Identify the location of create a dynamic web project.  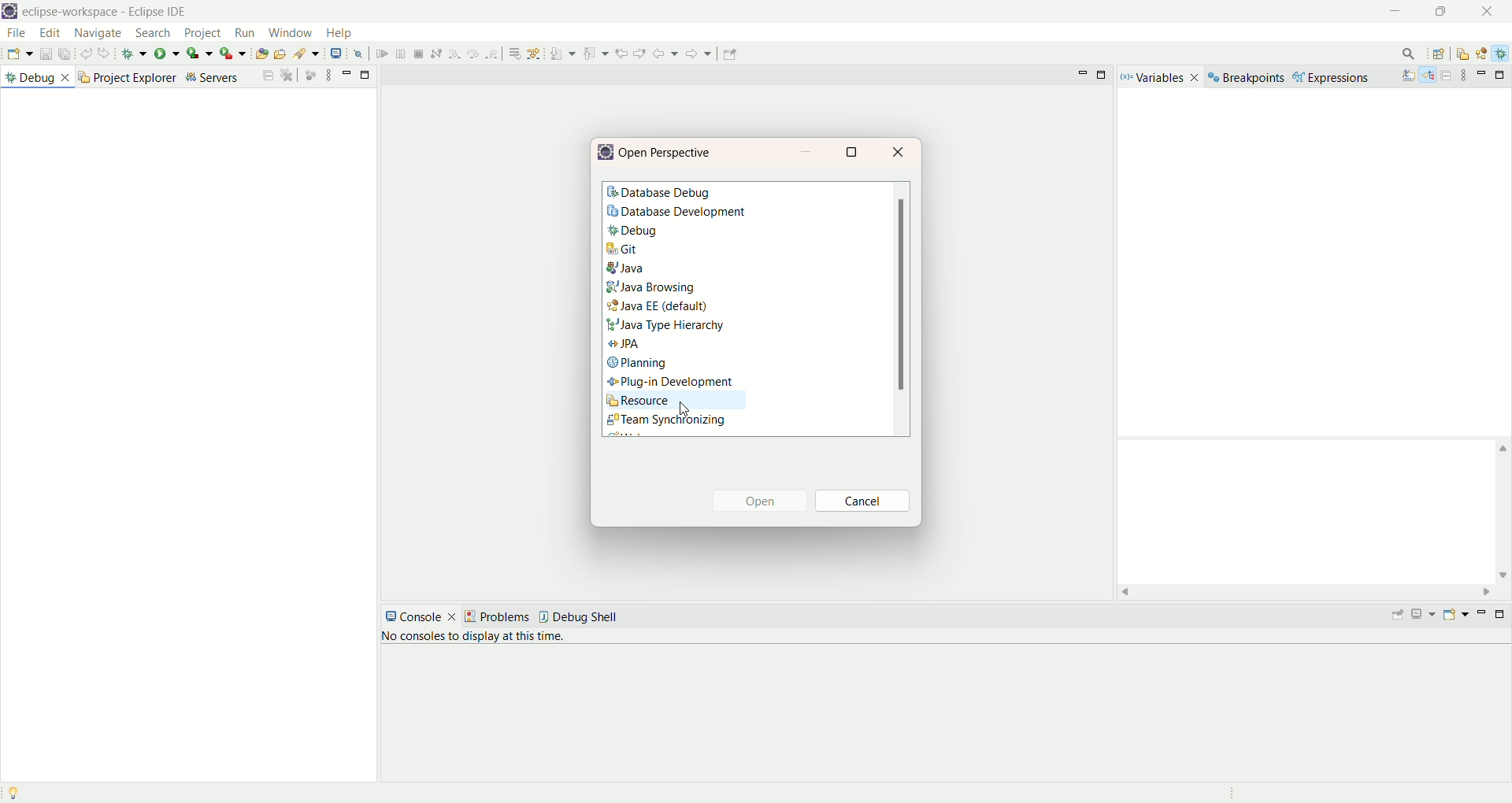
(269, 55).